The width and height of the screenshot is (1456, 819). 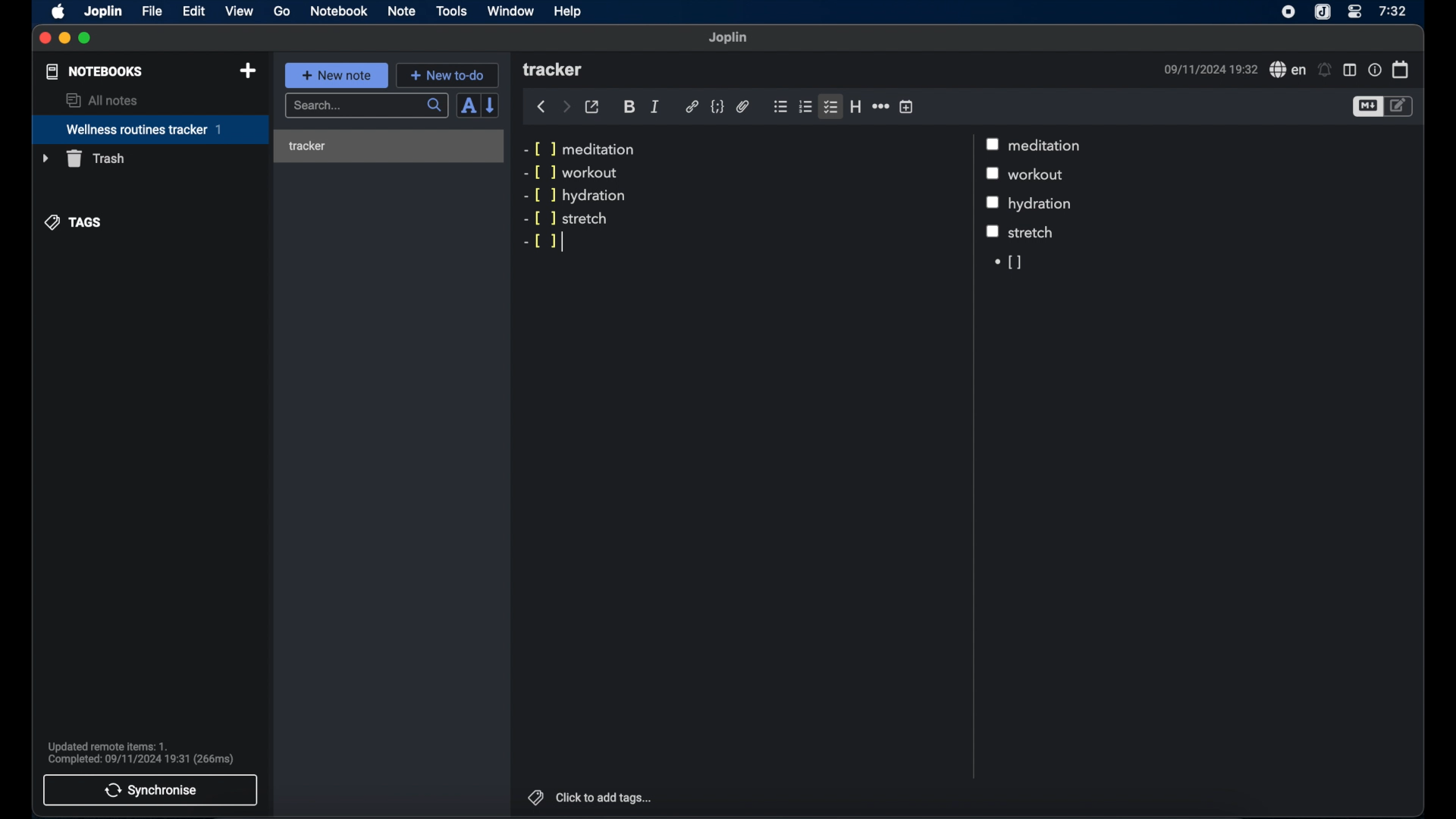 I want to click on trash, so click(x=83, y=158).